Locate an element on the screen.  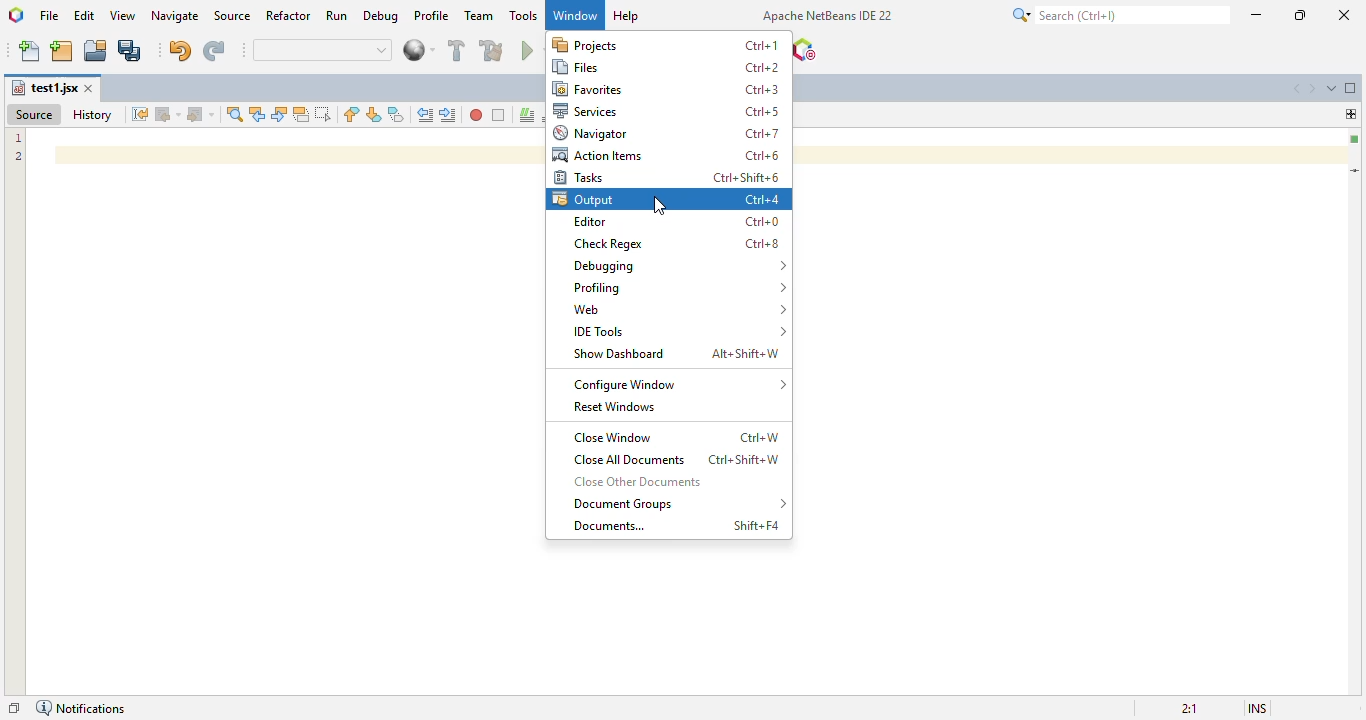
configure window is located at coordinates (679, 385).